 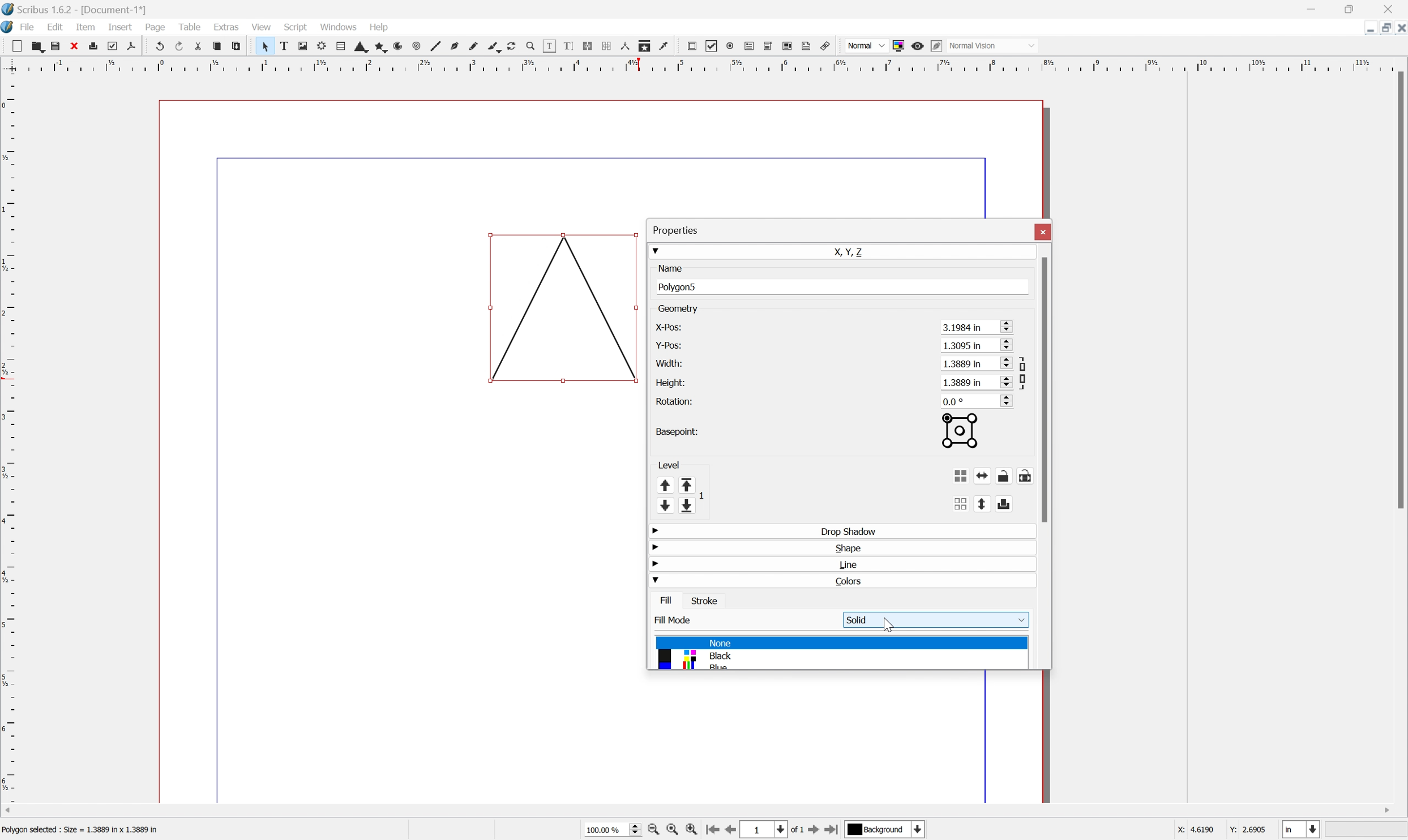 What do you see at coordinates (625, 47) in the screenshot?
I see `Measurements` at bounding box center [625, 47].